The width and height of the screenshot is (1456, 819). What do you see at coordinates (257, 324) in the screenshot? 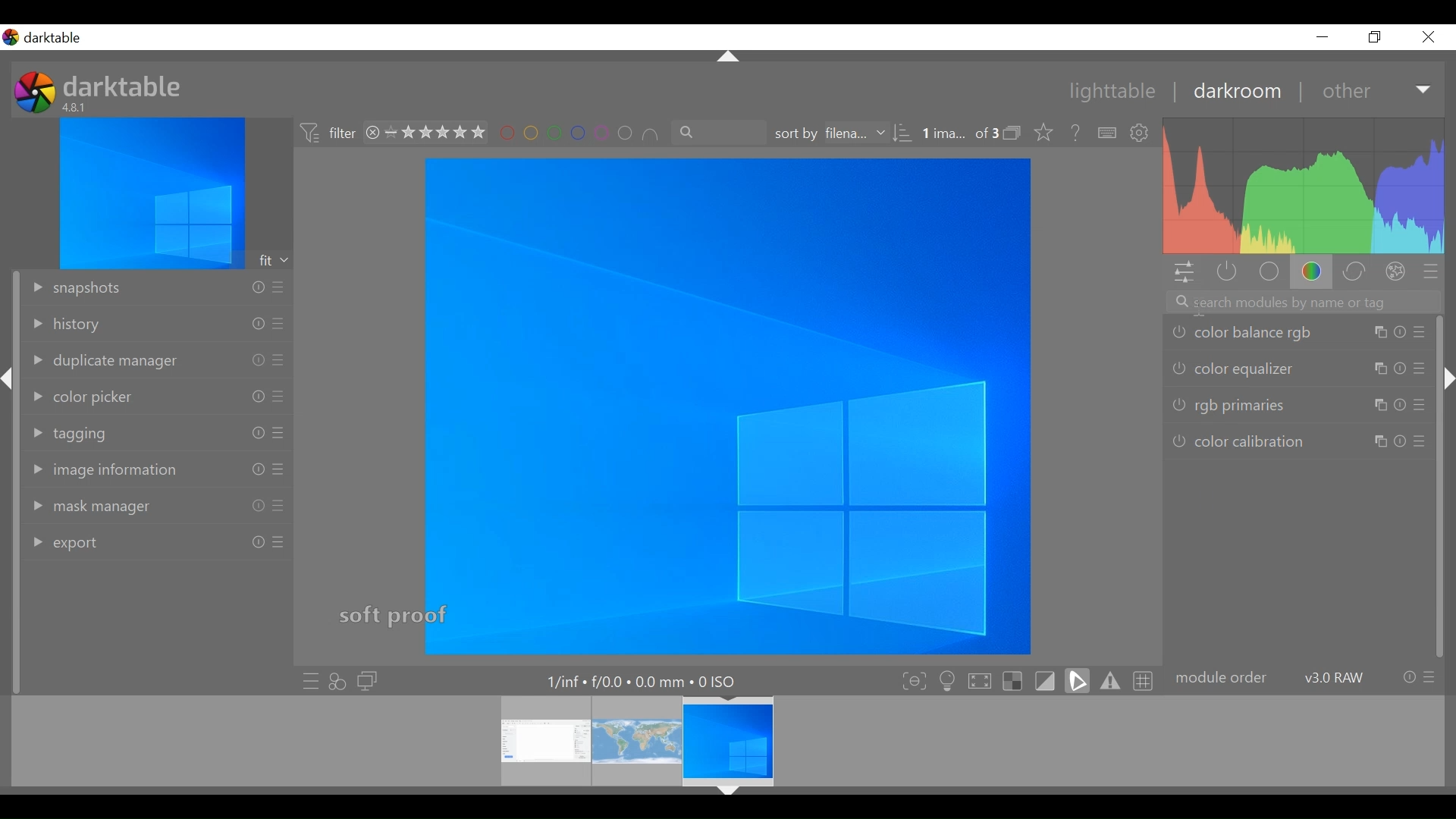
I see `info` at bounding box center [257, 324].